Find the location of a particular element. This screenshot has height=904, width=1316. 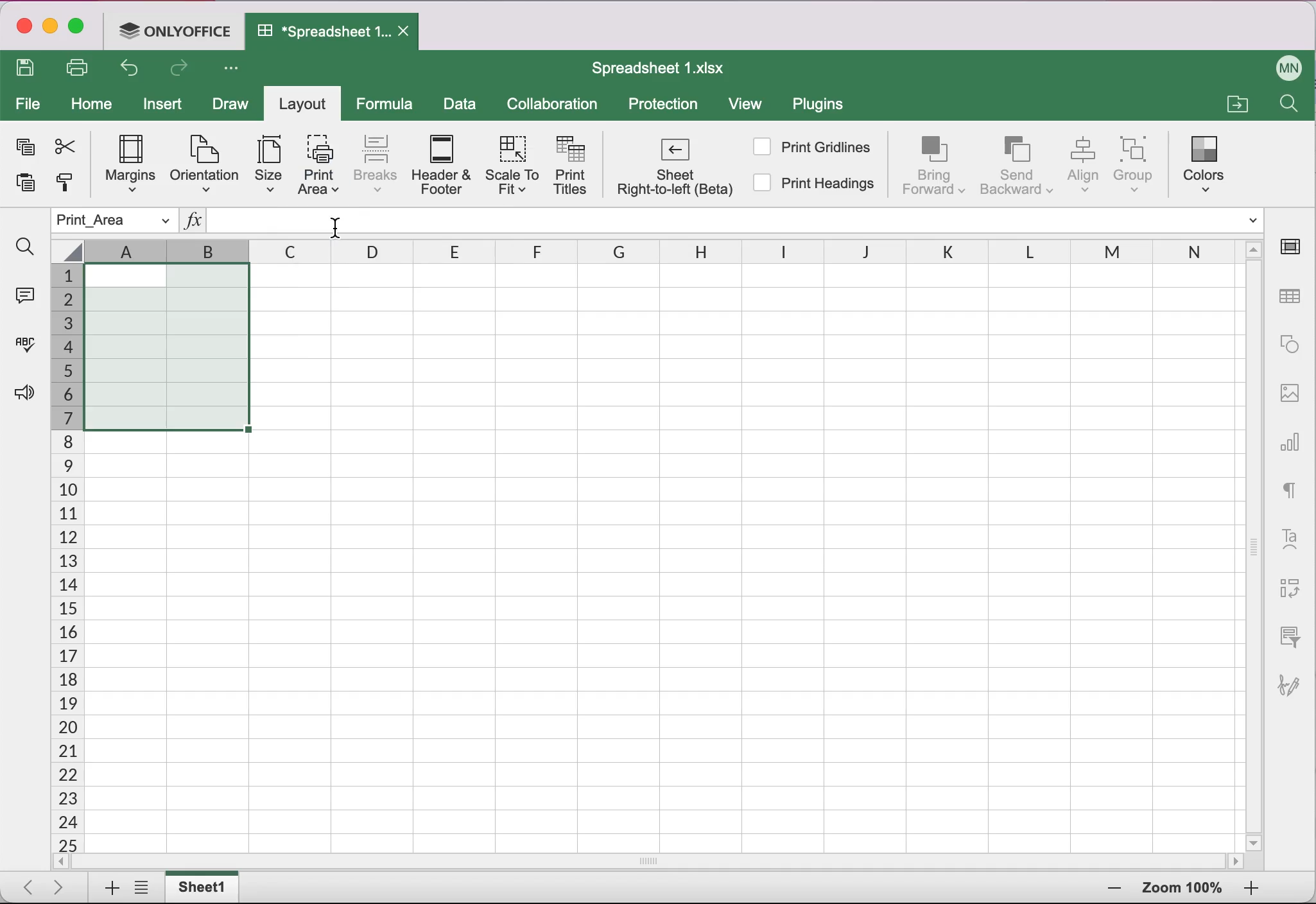

Bring forward is located at coordinates (935, 165).